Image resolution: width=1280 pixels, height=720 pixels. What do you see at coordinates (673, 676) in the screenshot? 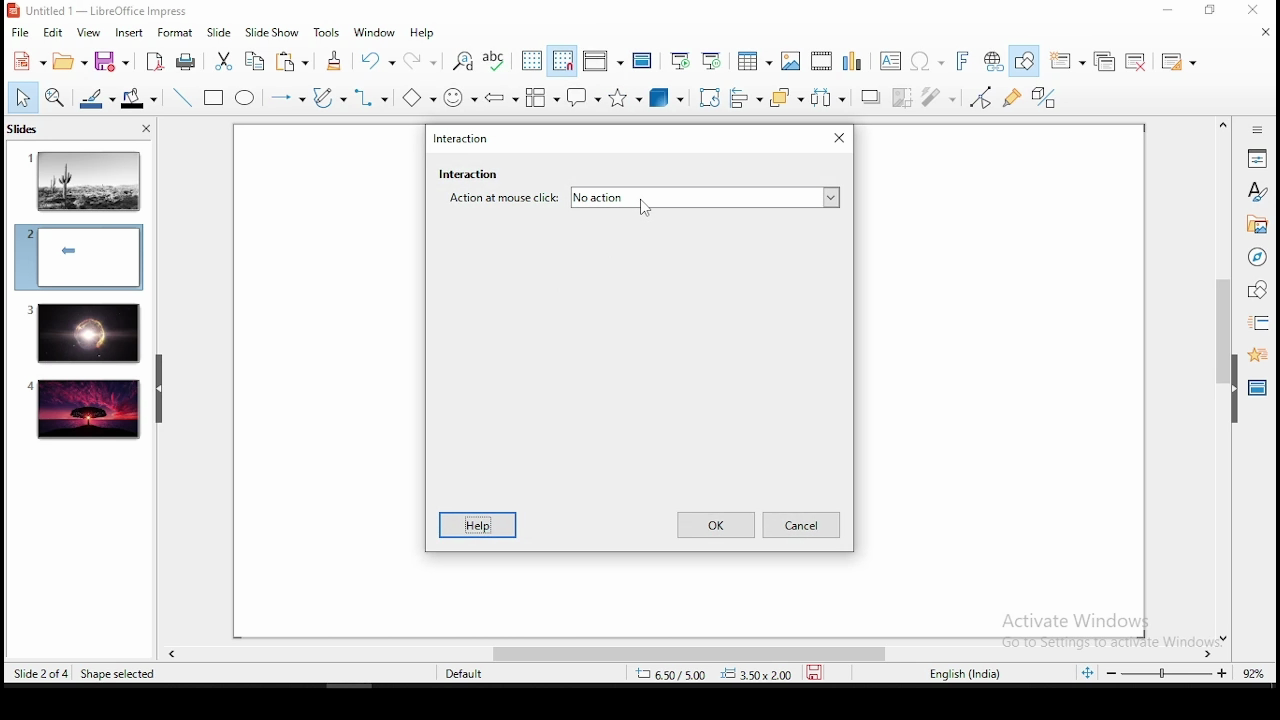
I see `8.60/-0.26` at bounding box center [673, 676].